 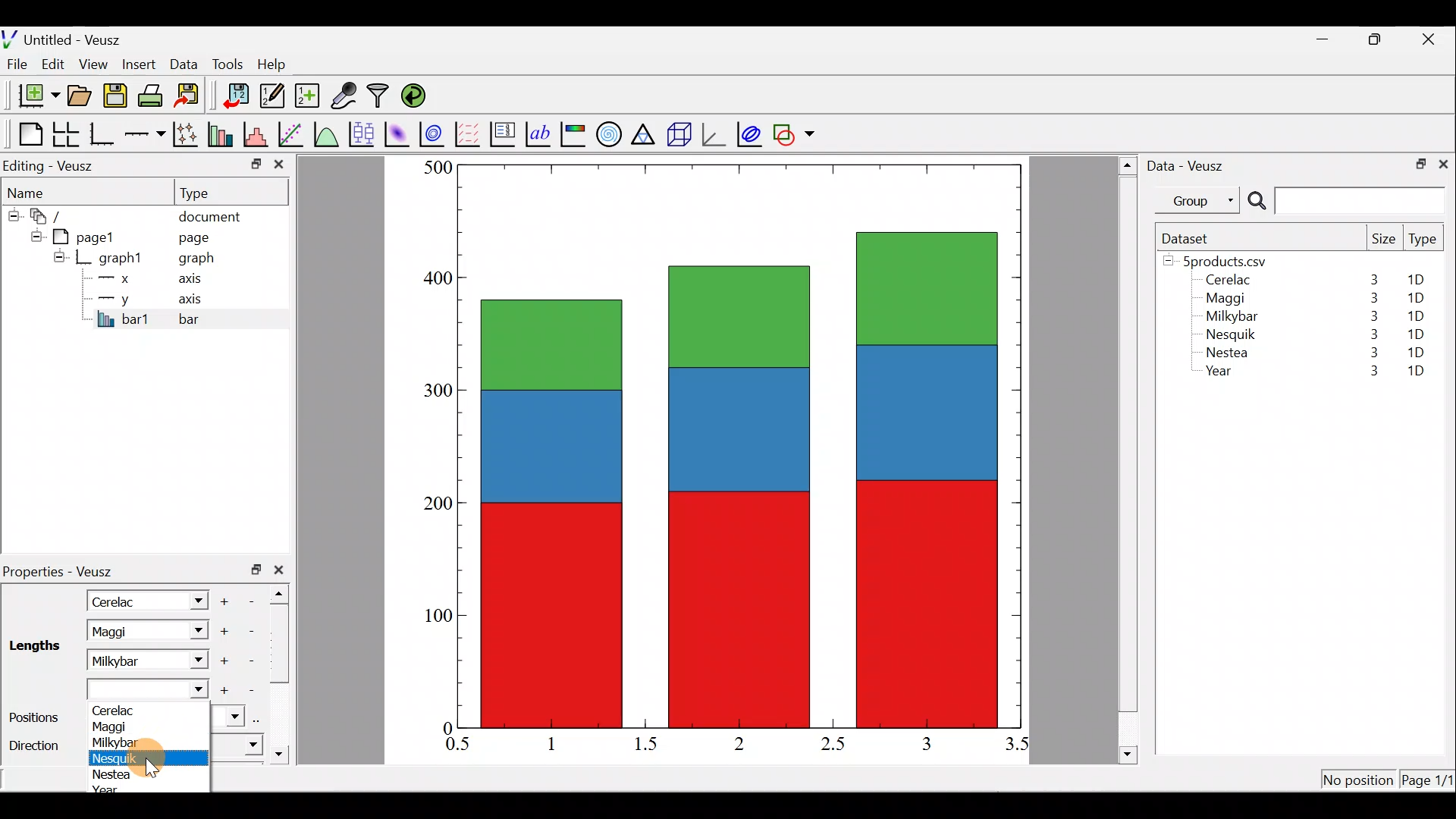 I want to click on Length dropdown, so click(x=194, y=631).